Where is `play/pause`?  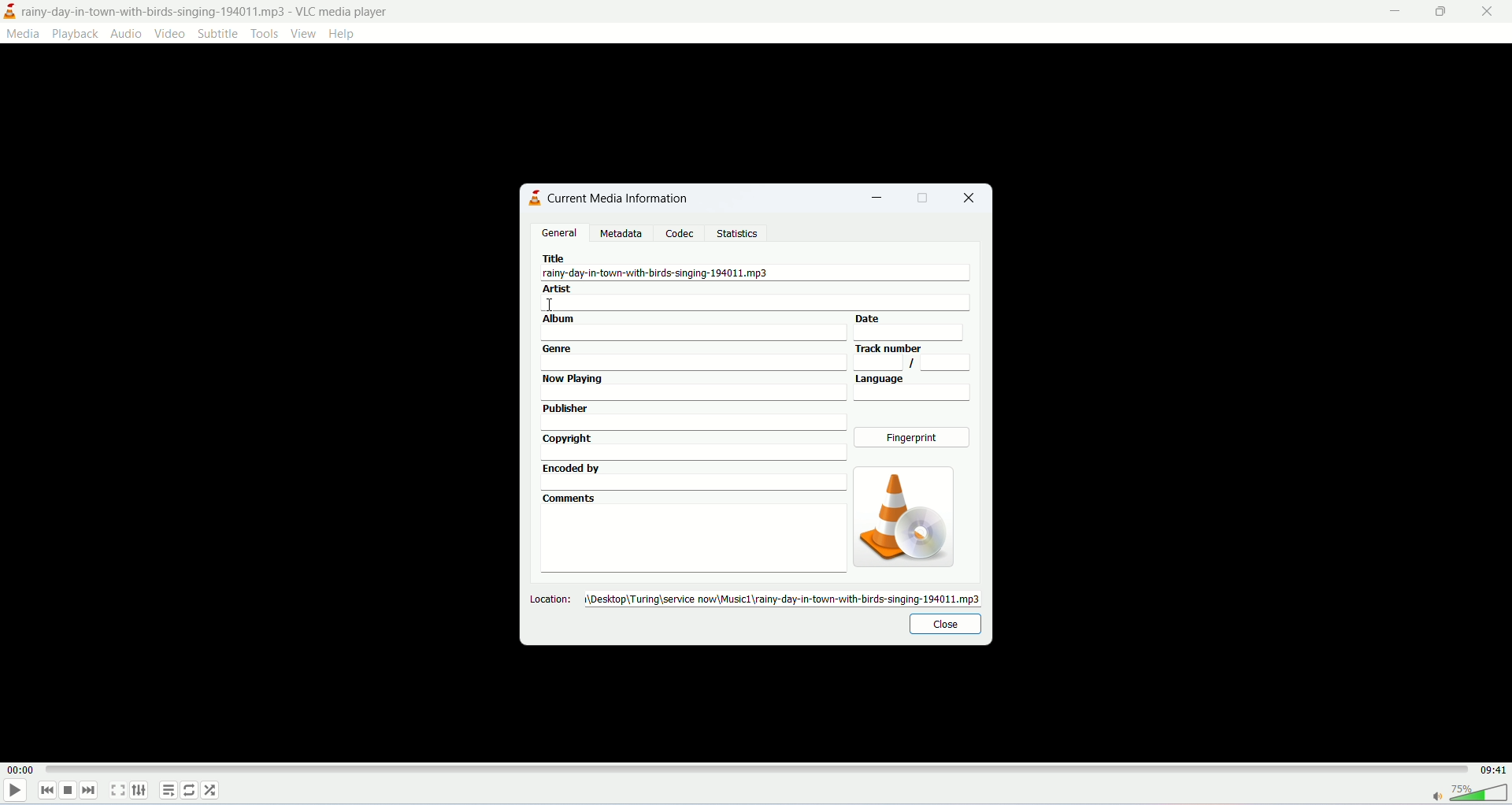
play/pause is located at coordinates (15, 793).